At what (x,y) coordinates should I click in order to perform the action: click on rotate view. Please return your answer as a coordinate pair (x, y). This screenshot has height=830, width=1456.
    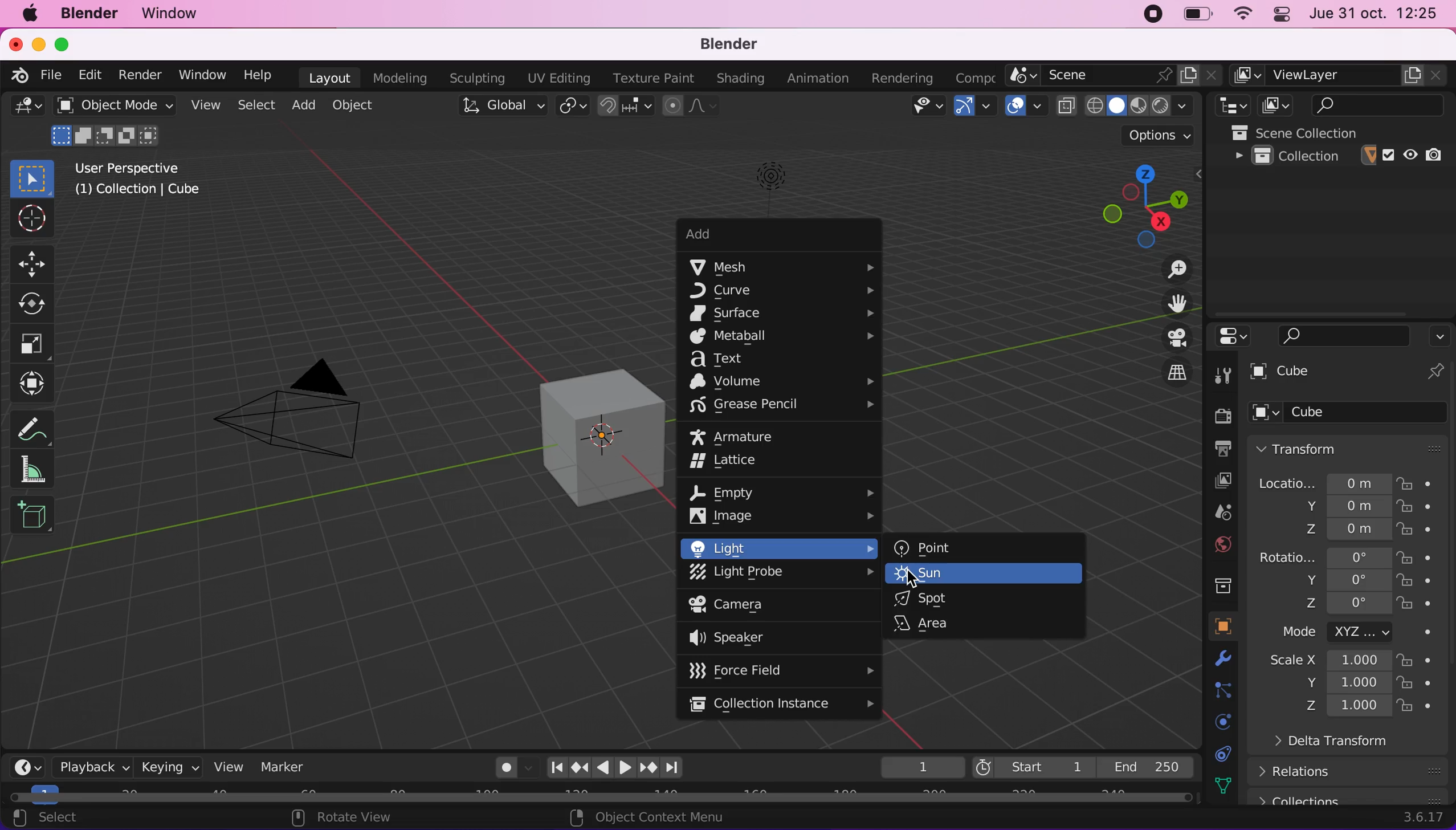
    Looking at the image, I should click on (360, 817).